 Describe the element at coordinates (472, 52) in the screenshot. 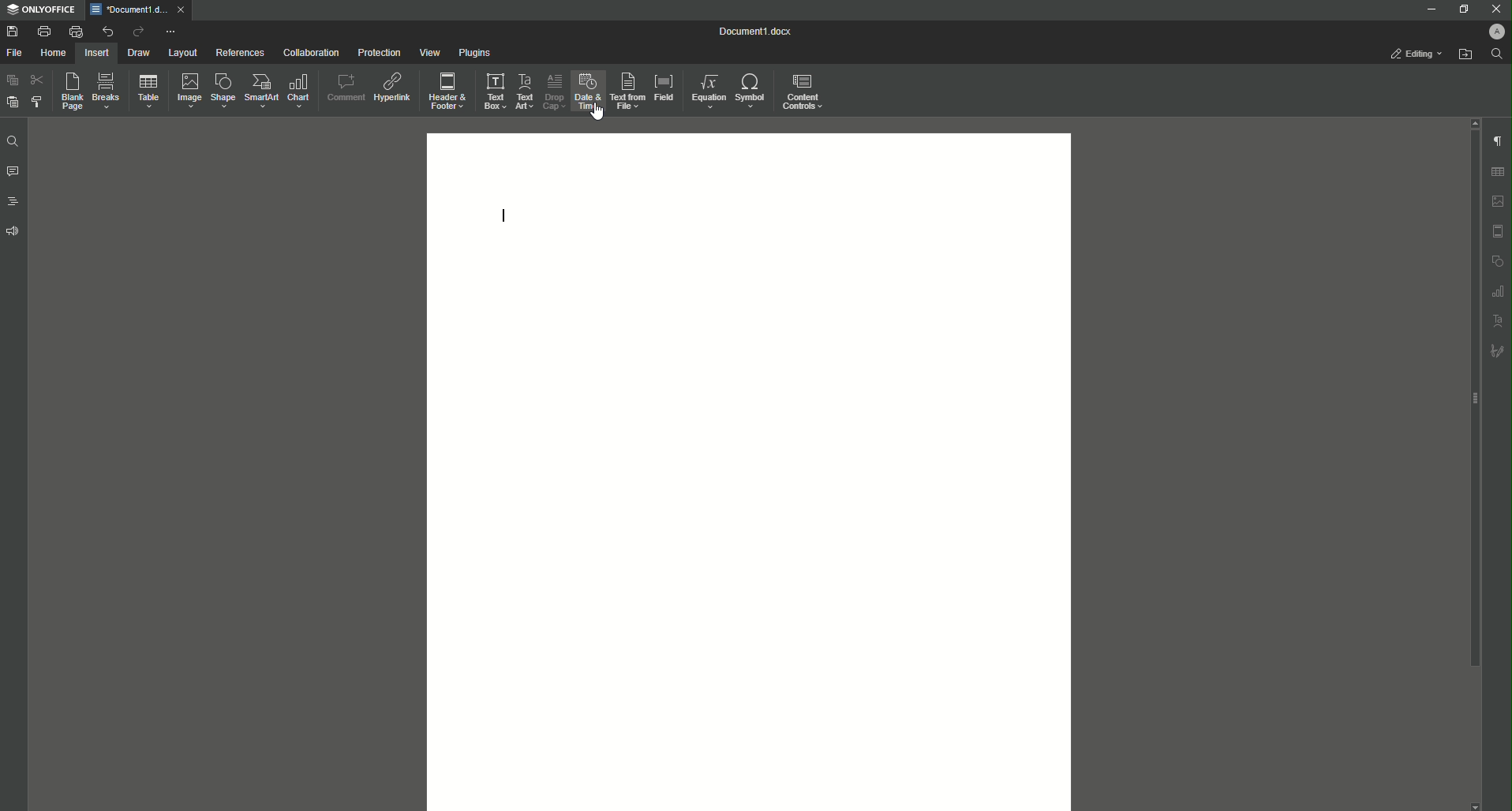

I see `Plugins` at that location.